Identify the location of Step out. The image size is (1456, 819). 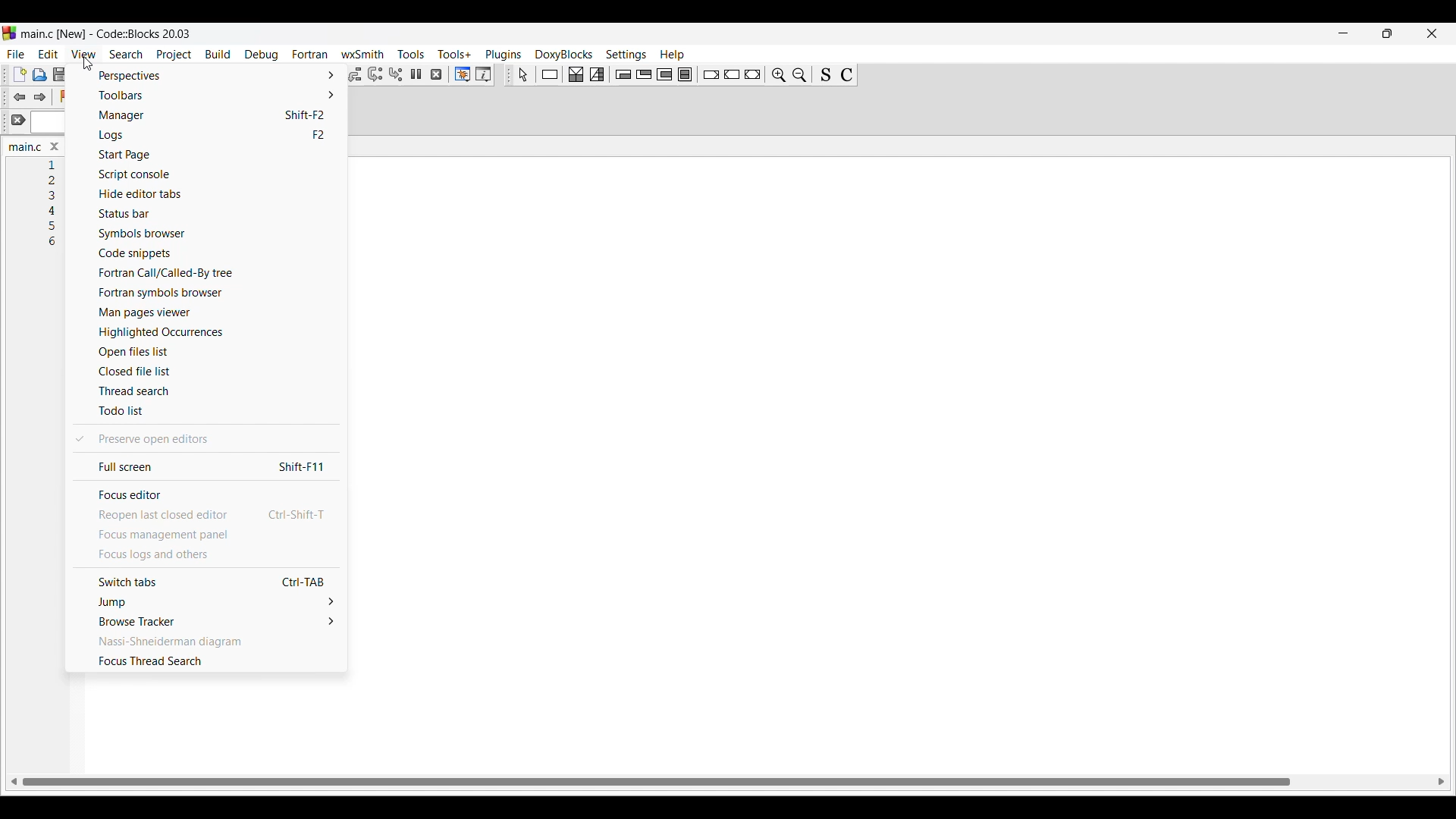
(354, 75).